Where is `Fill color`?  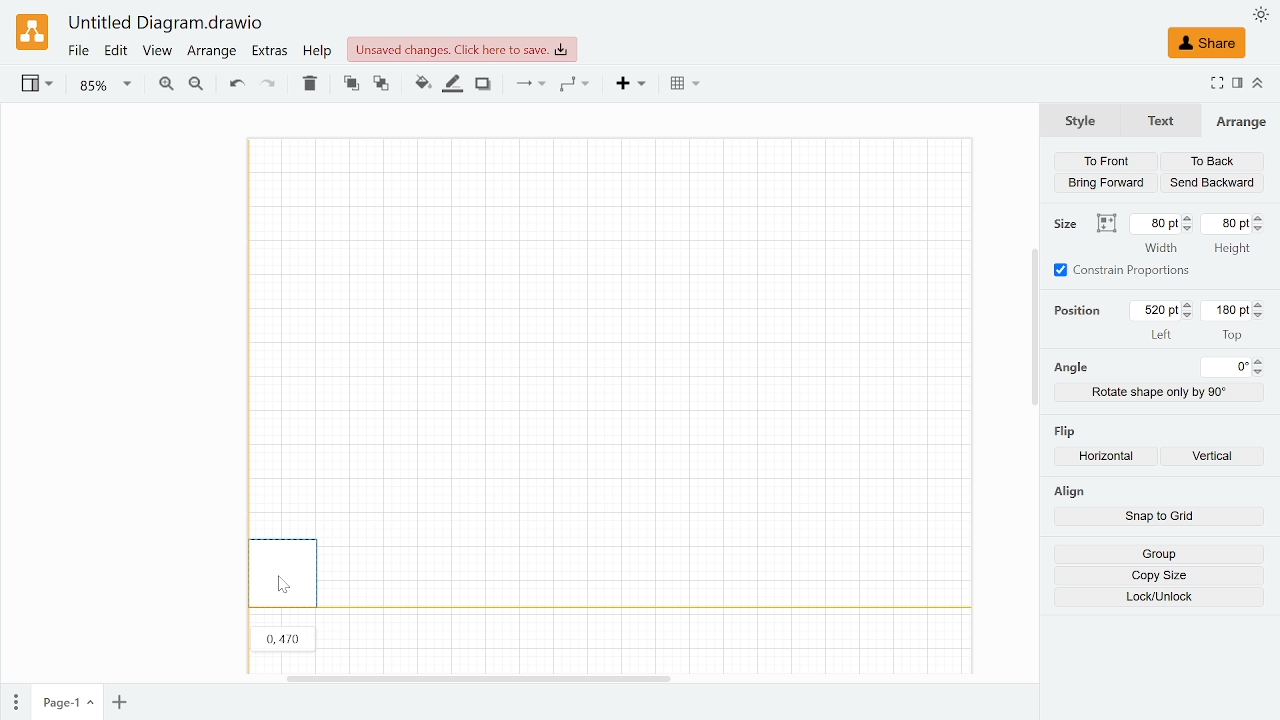
Fill color is located at coordinates (422, 84).